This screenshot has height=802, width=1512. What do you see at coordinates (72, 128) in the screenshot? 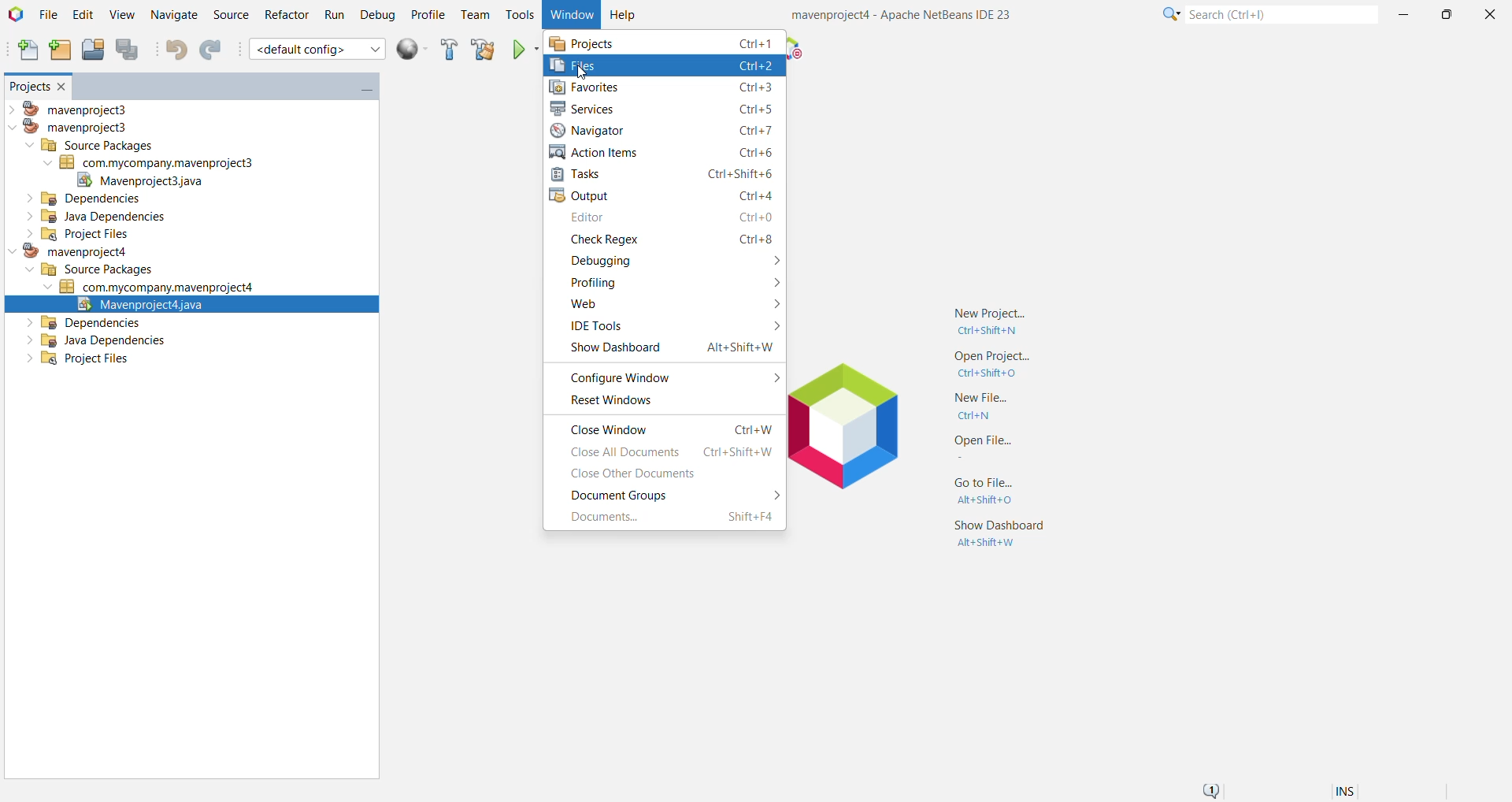
I see `mavenproject3` at bounding box center [72, 128].